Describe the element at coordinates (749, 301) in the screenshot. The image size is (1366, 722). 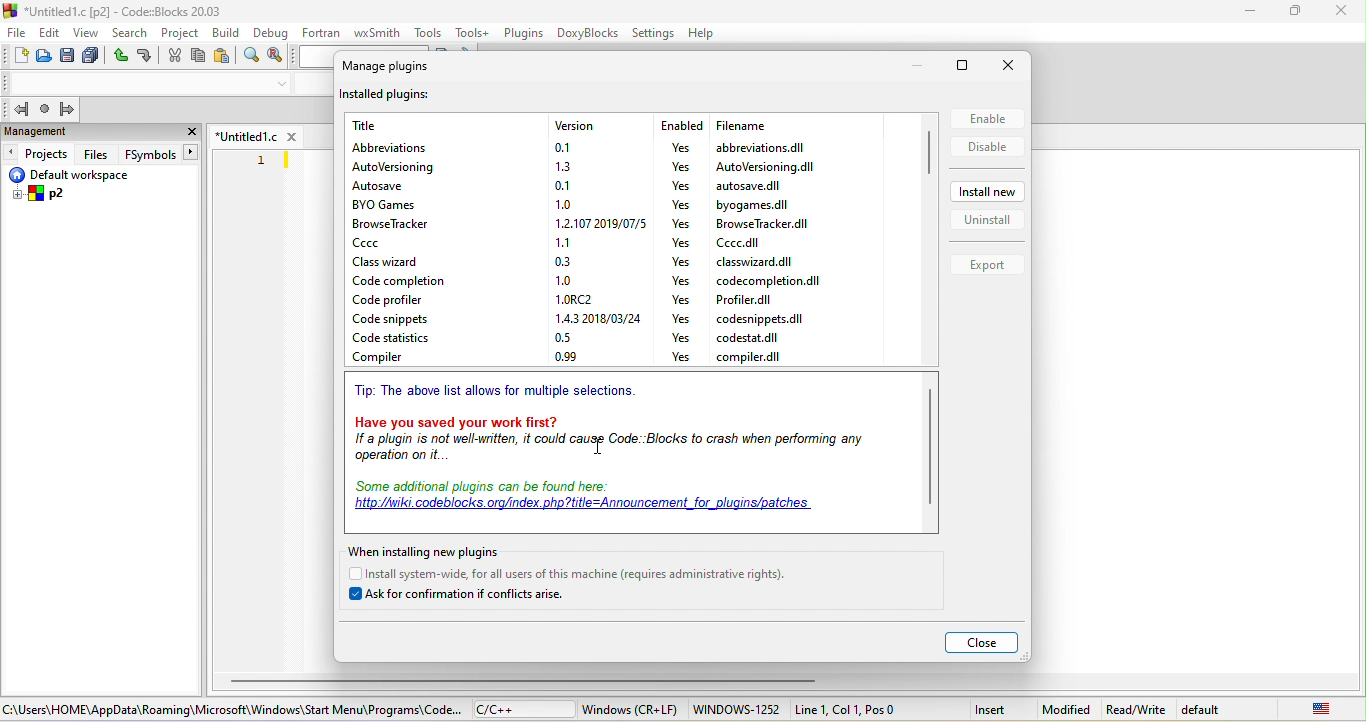
I see `profiler` at that location.